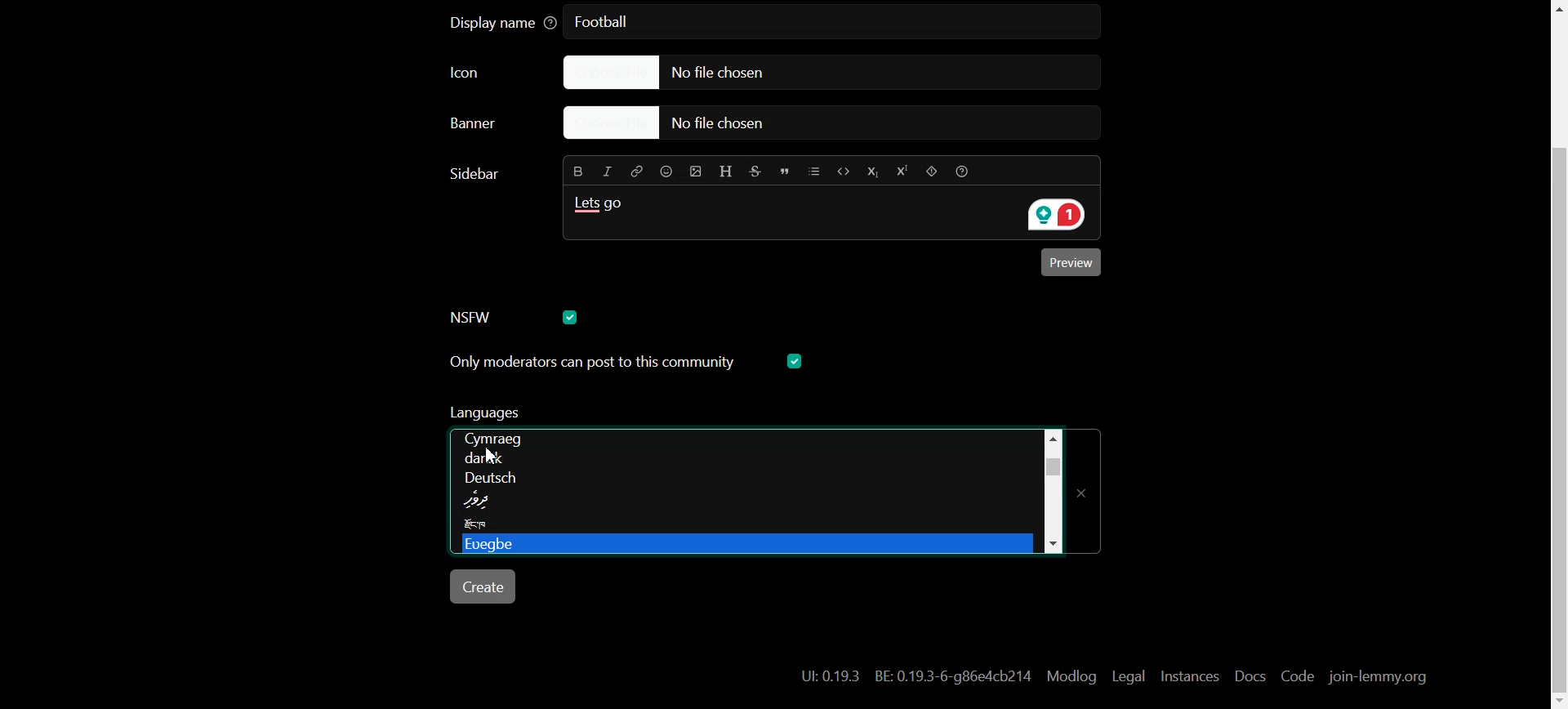 This screenshot has width=1568, height=709. Describe the element at coordinates (665, 172) in the screenshot. I see `Emoji` at that location.